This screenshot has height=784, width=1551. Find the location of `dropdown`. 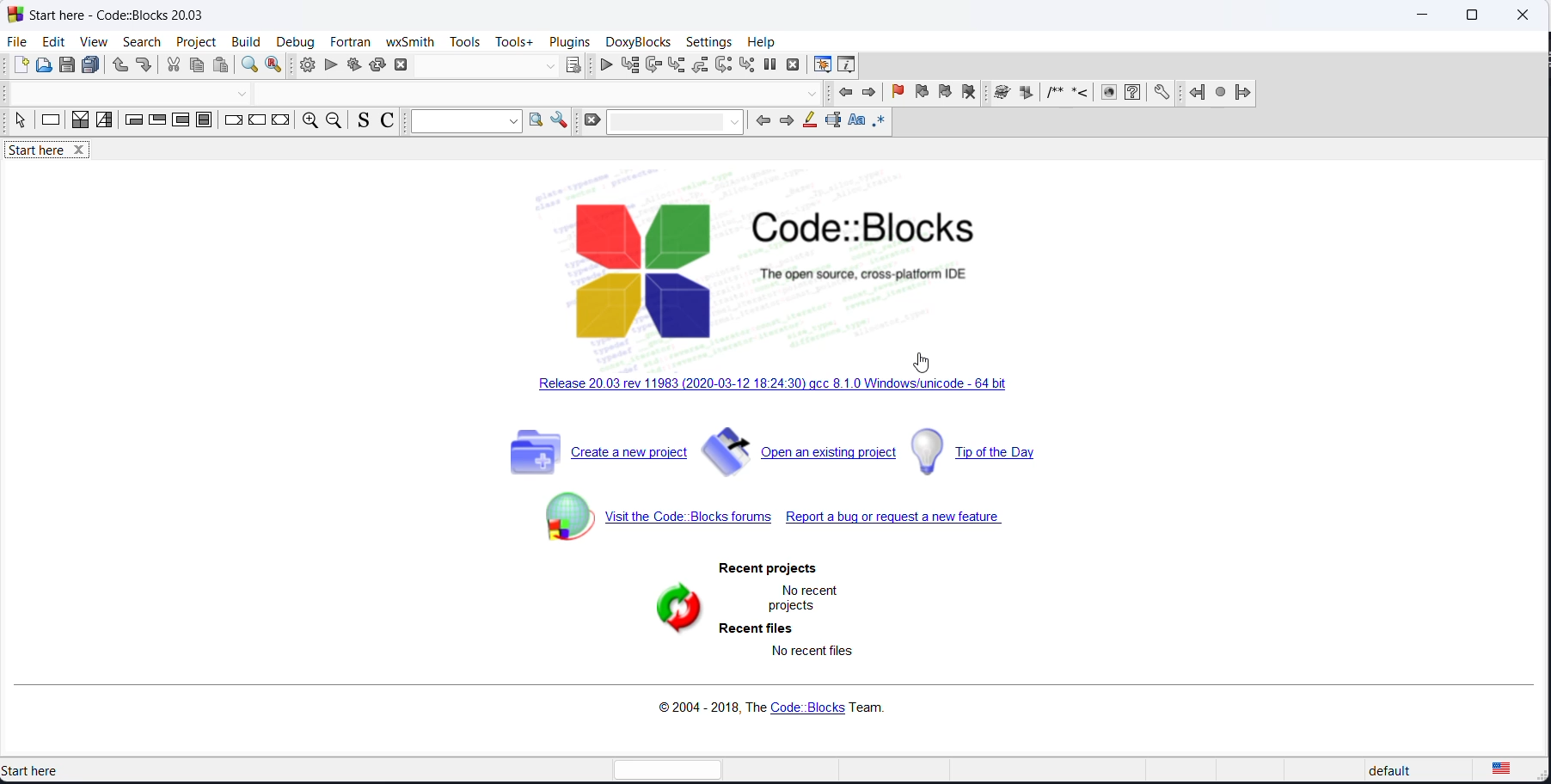

dropdown is located at coordinates (673, 122).